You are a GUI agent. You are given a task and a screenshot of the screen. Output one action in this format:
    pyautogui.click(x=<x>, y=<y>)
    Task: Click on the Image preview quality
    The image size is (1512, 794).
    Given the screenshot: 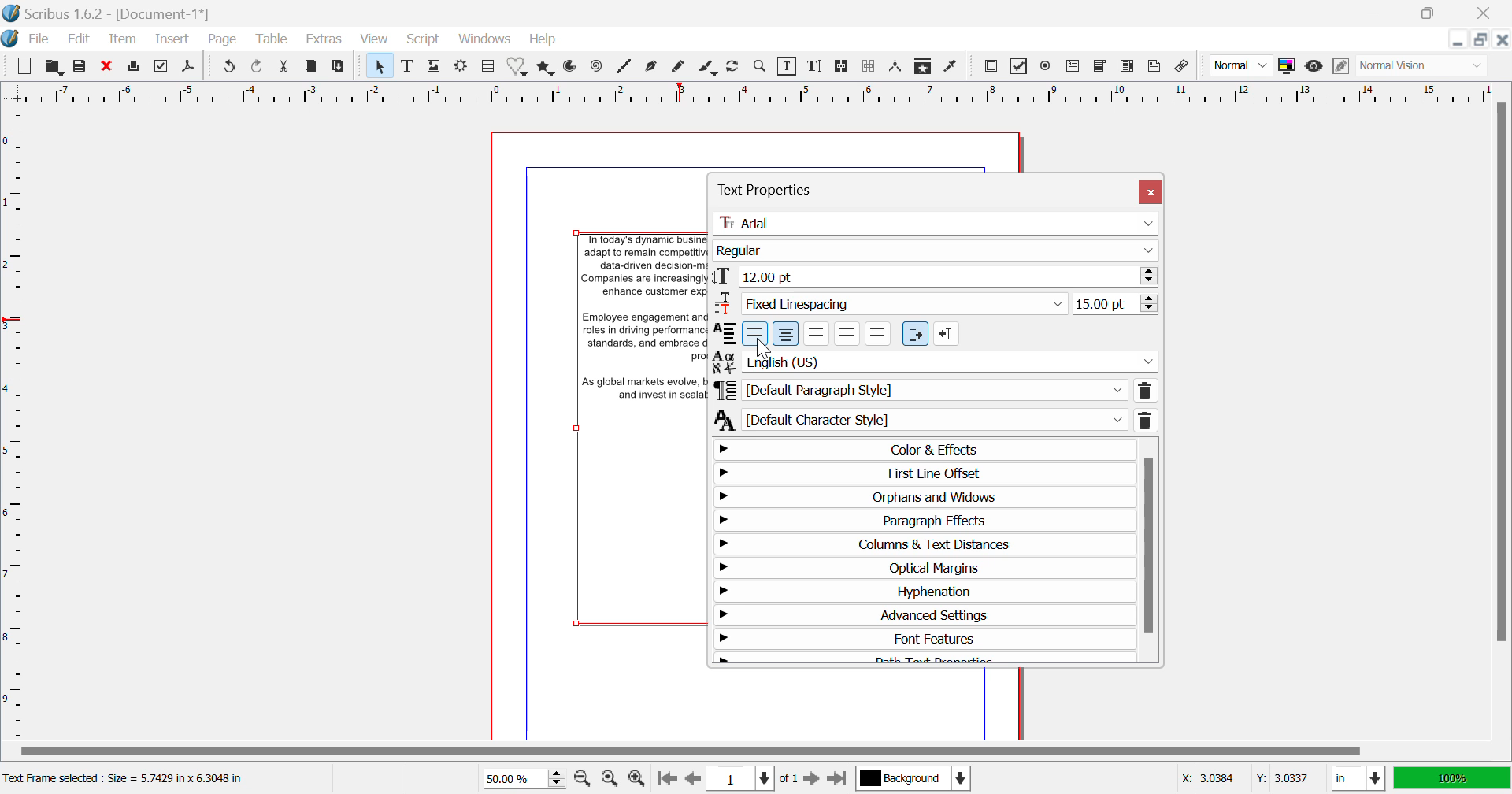 What is the action you would take?
    pyautogui.click(x=1243, y=65)
    